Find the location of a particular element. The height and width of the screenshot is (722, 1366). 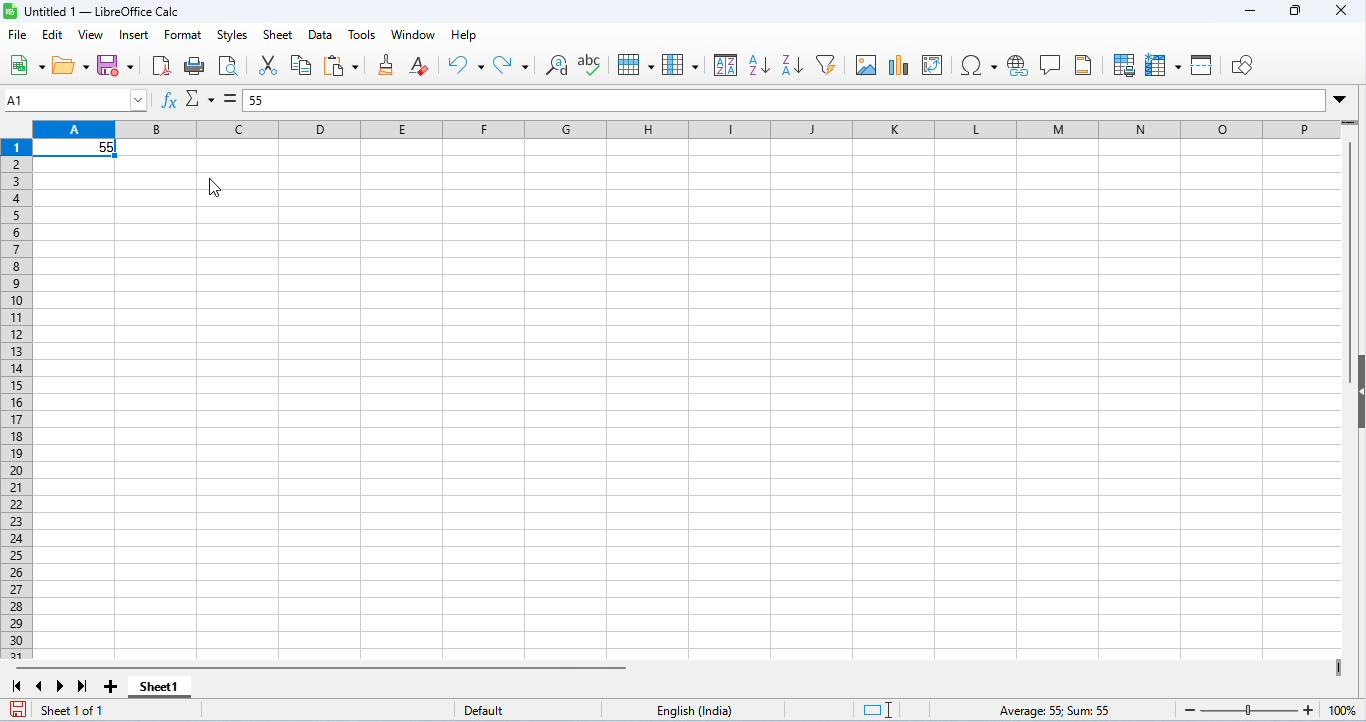

export pdf is located at coordinates (162, 65).